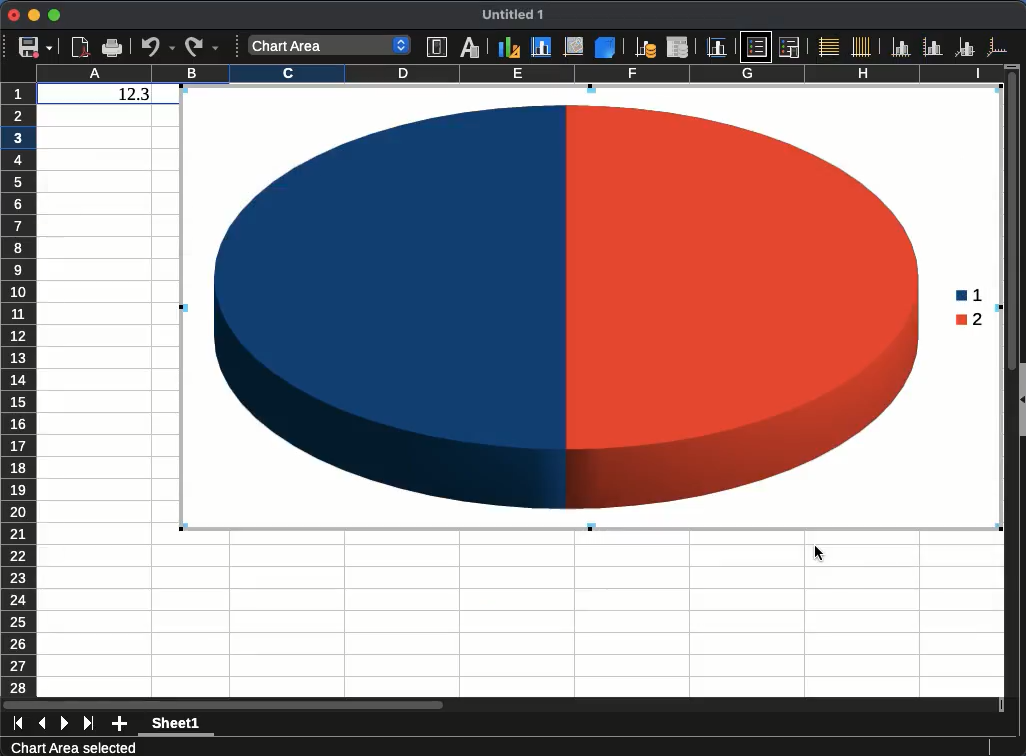  Describe the element at coordinates (42, 724) in the screenshot. I see `previous sheet` at that location.